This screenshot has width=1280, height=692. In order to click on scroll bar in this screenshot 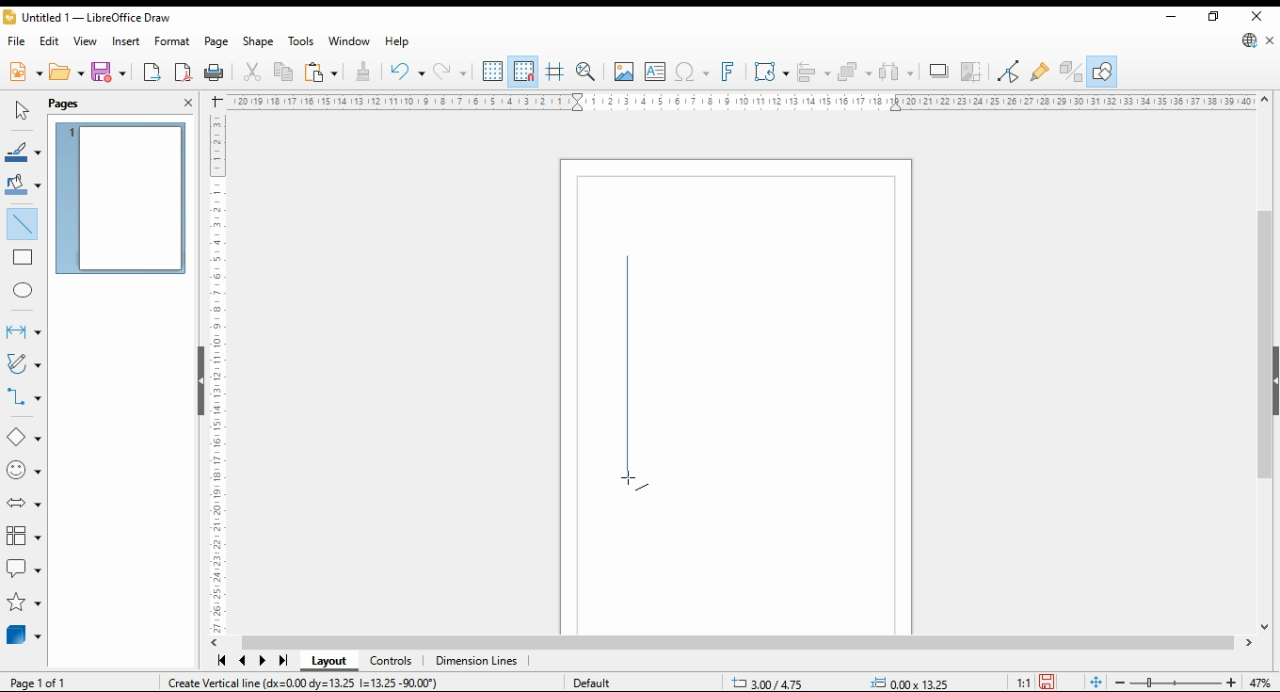, I will do `click(1259, 361)`.